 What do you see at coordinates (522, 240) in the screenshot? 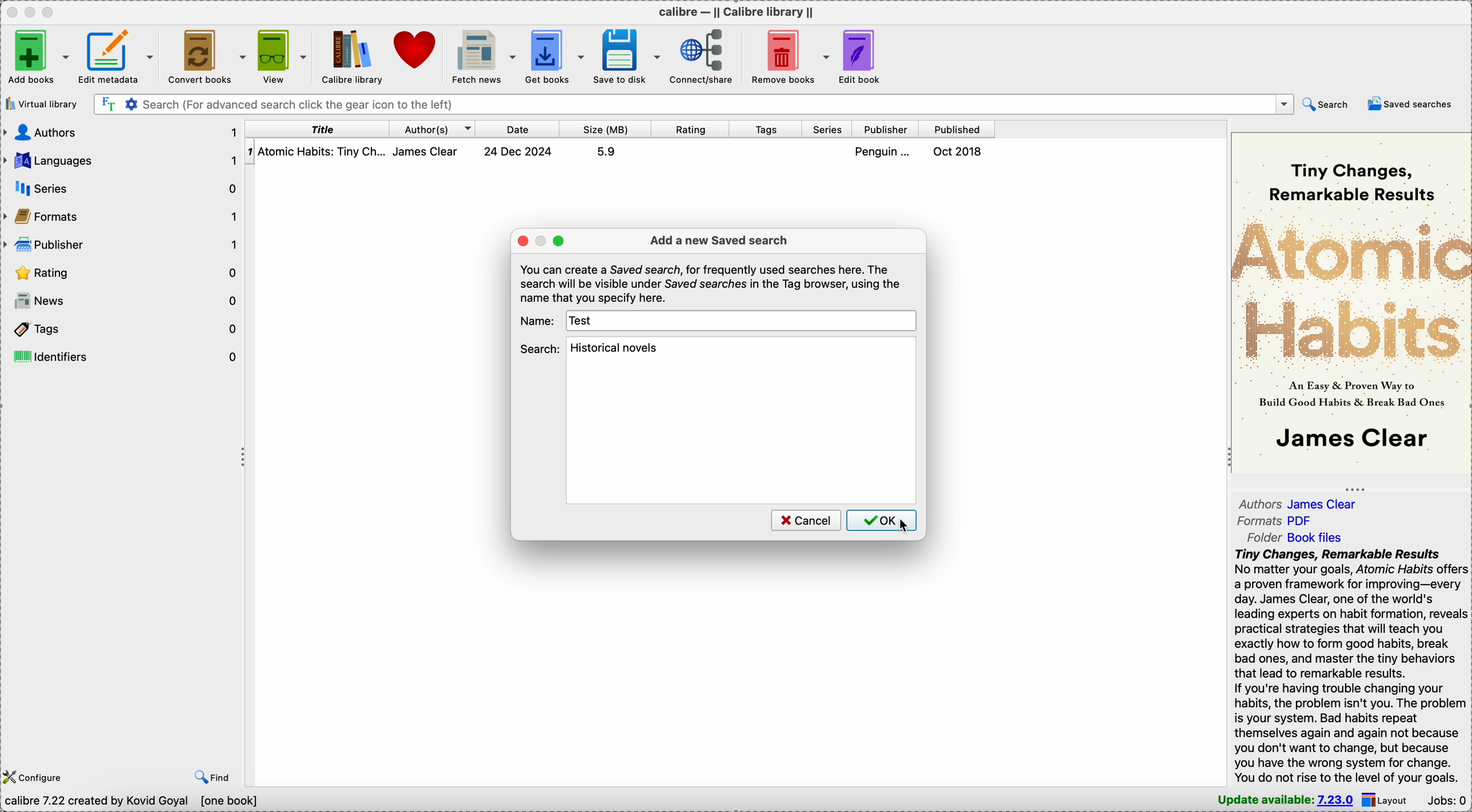
I see `close pop-up` at bounding box center [522, 240].